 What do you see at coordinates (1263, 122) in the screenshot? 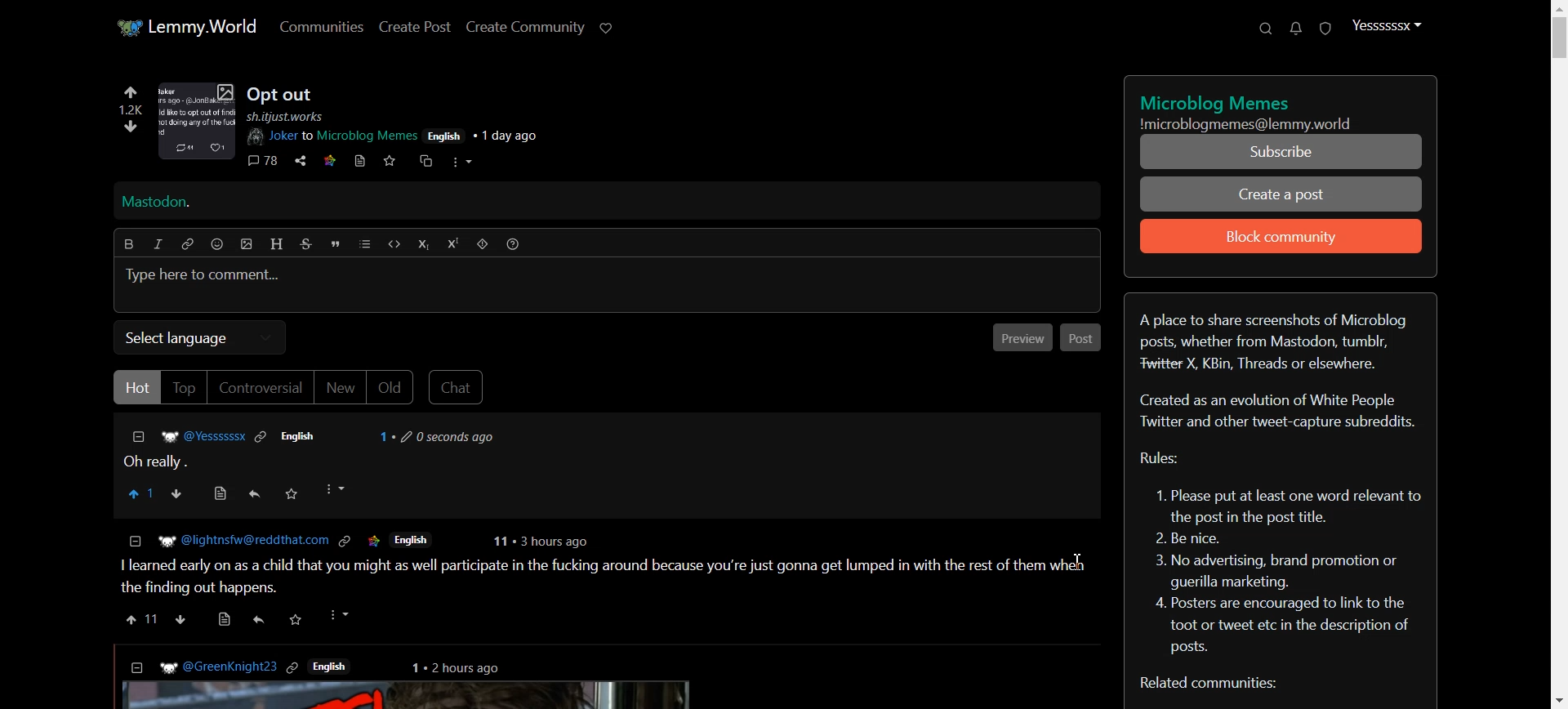
I see `Text` at bounding box center [1263, 122].